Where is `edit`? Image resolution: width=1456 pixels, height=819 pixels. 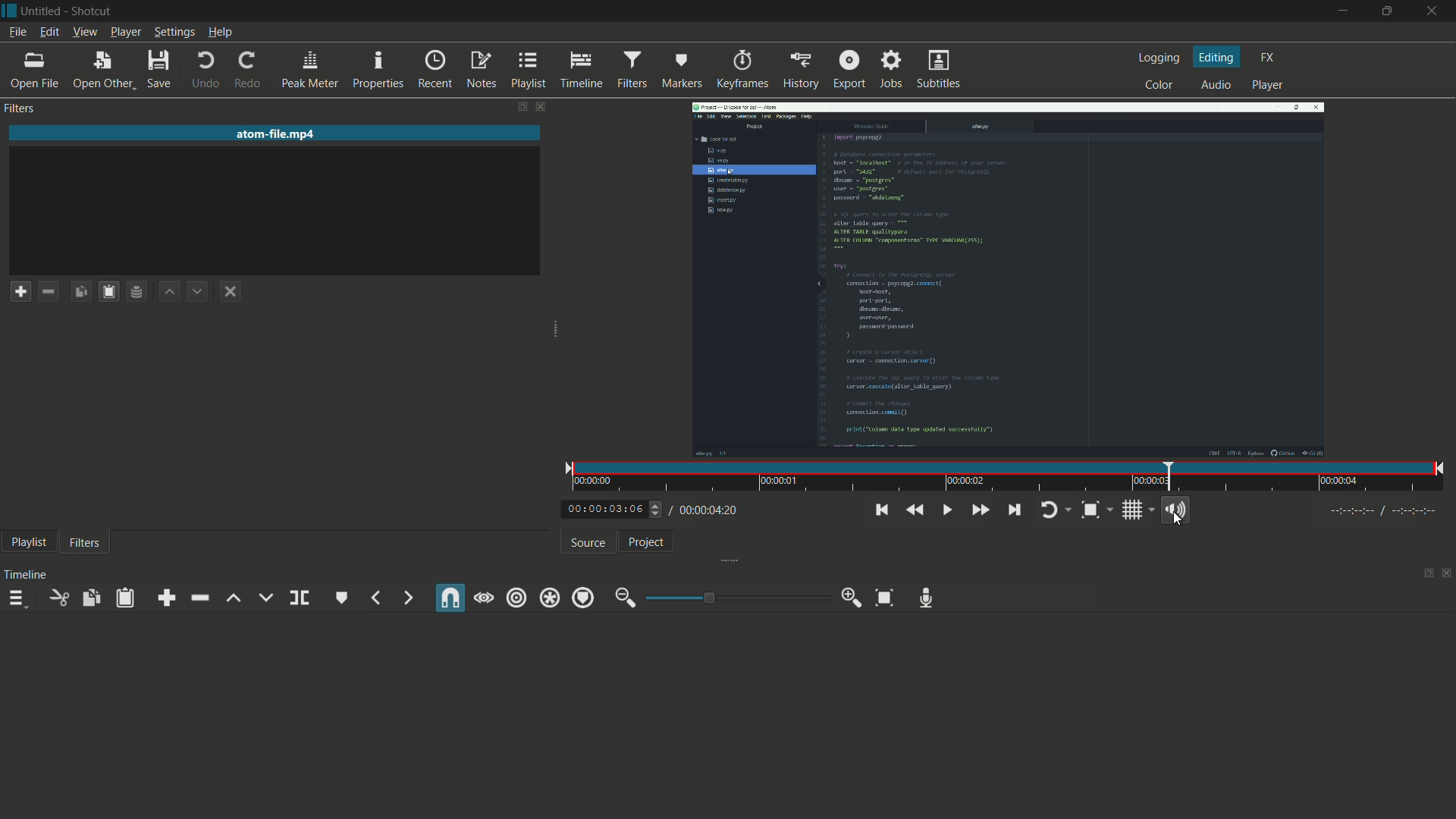
edit is located at coordinates (49, 32).